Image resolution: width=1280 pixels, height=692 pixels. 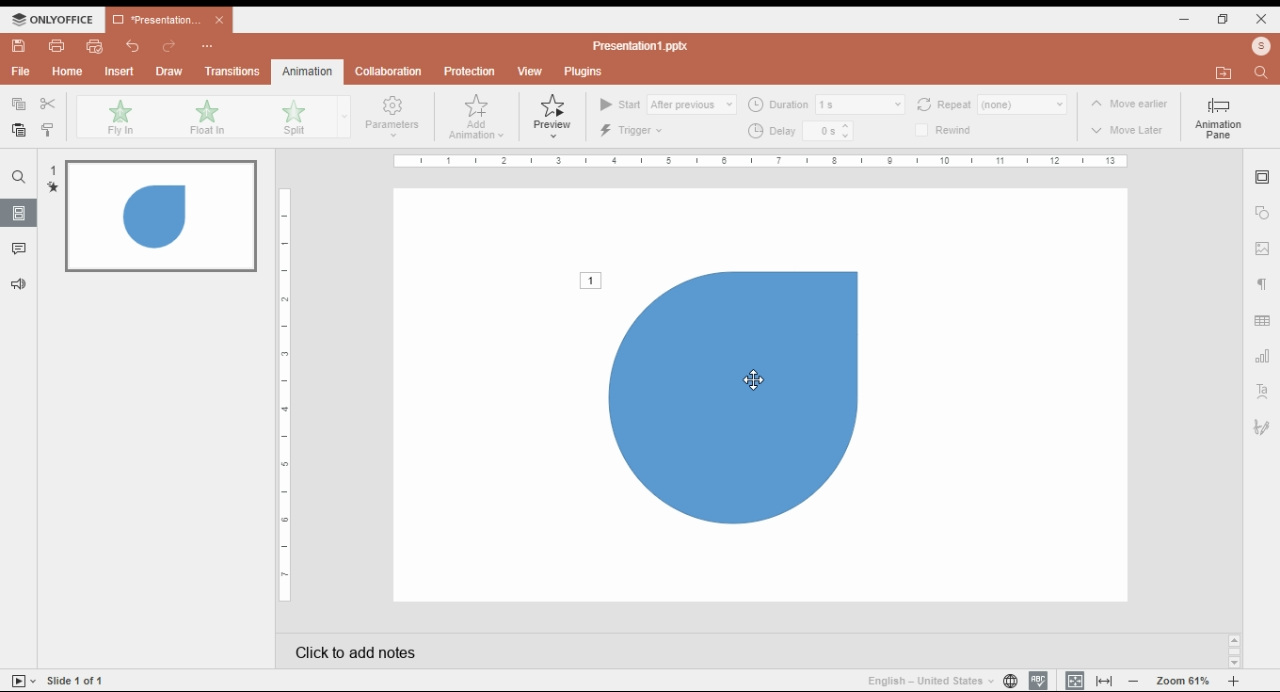 I want to click on set language, so click(x=1010, y=681).